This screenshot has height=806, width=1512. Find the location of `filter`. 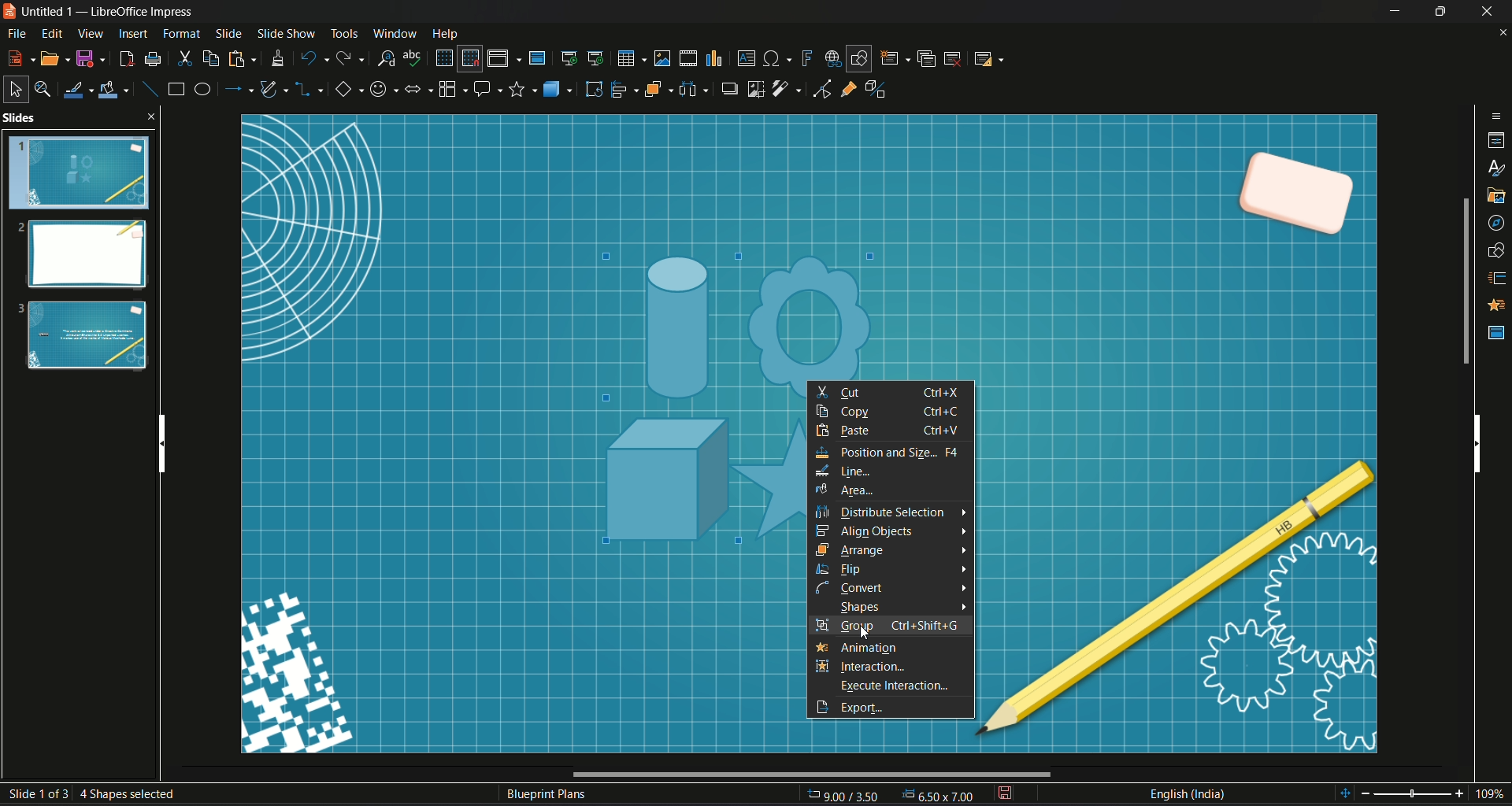

filter is located at coordinates (787, 89).